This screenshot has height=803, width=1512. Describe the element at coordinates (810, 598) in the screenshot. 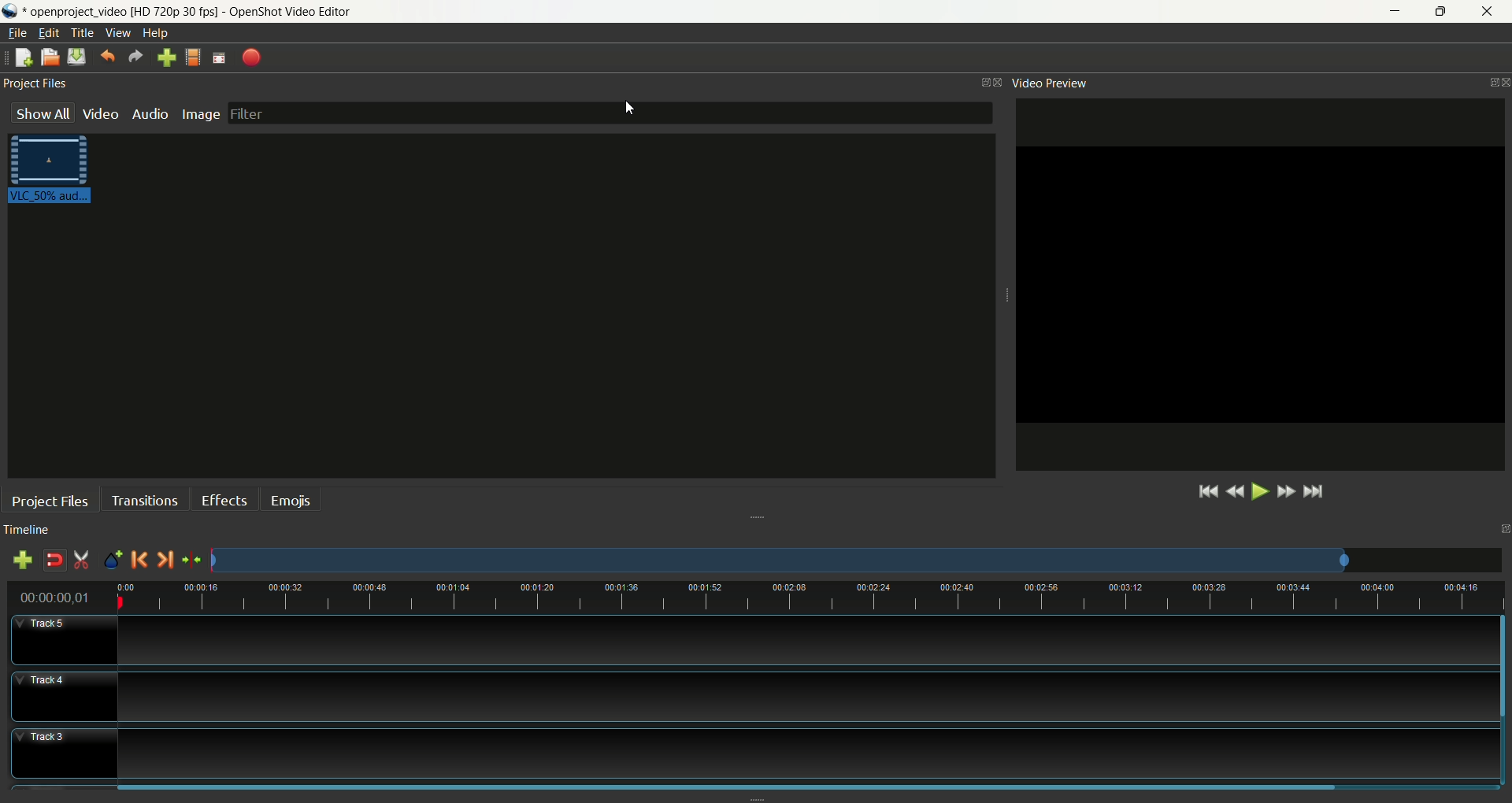

I see `timeline` at that location.